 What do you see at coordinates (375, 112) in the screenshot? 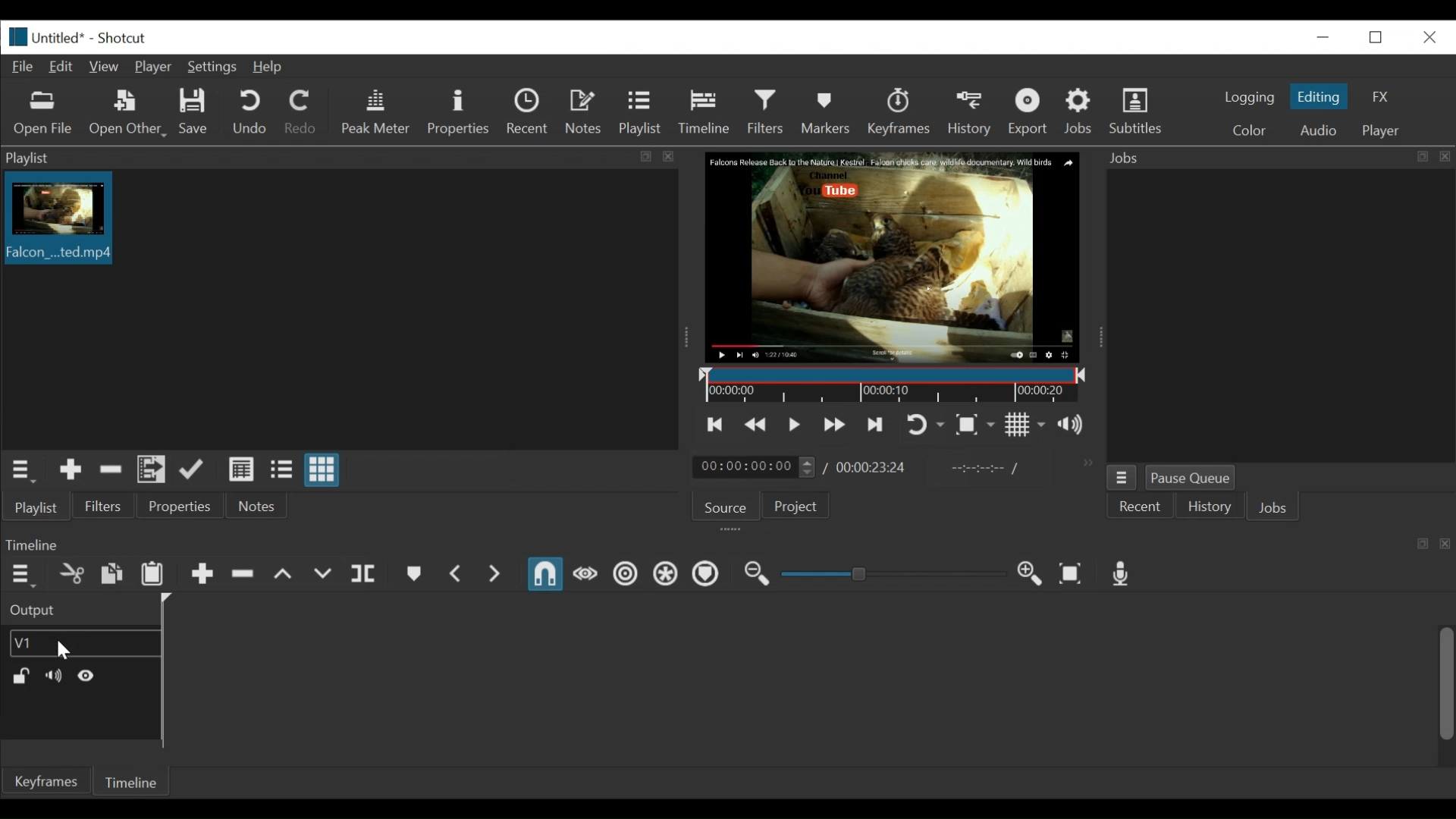
I see `Peak Meter` at bounding box center [375, 112].